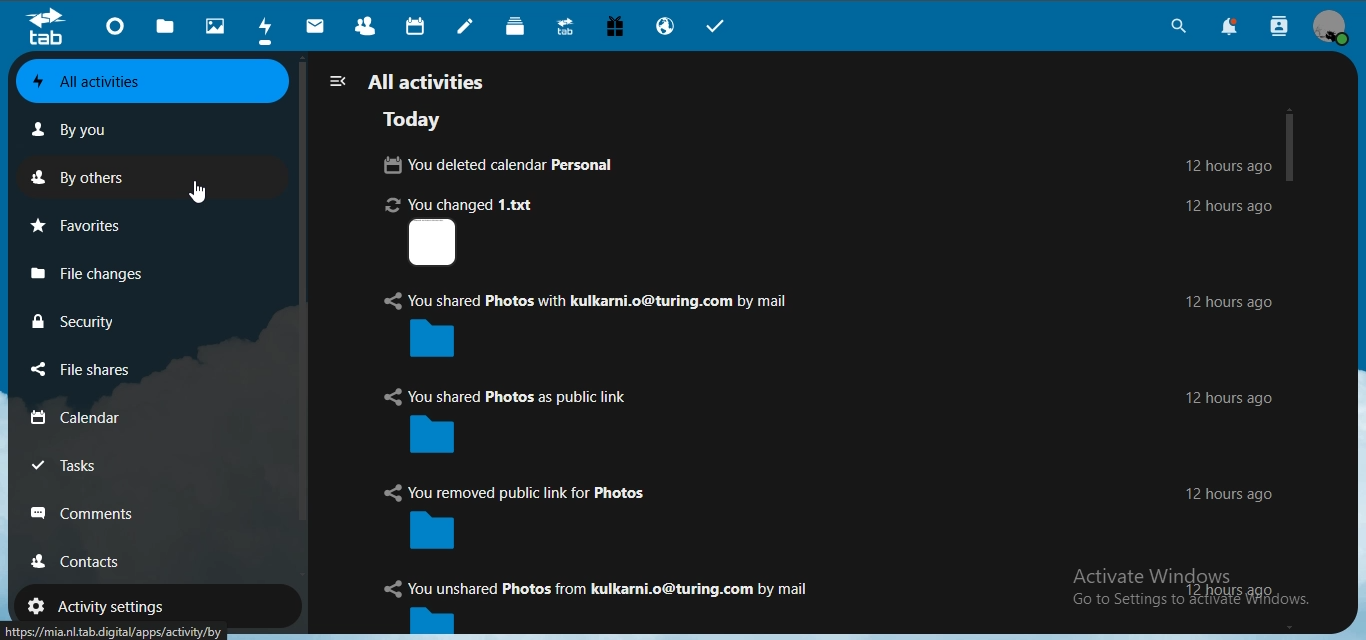  I want to click on tab, so click(45, 27).